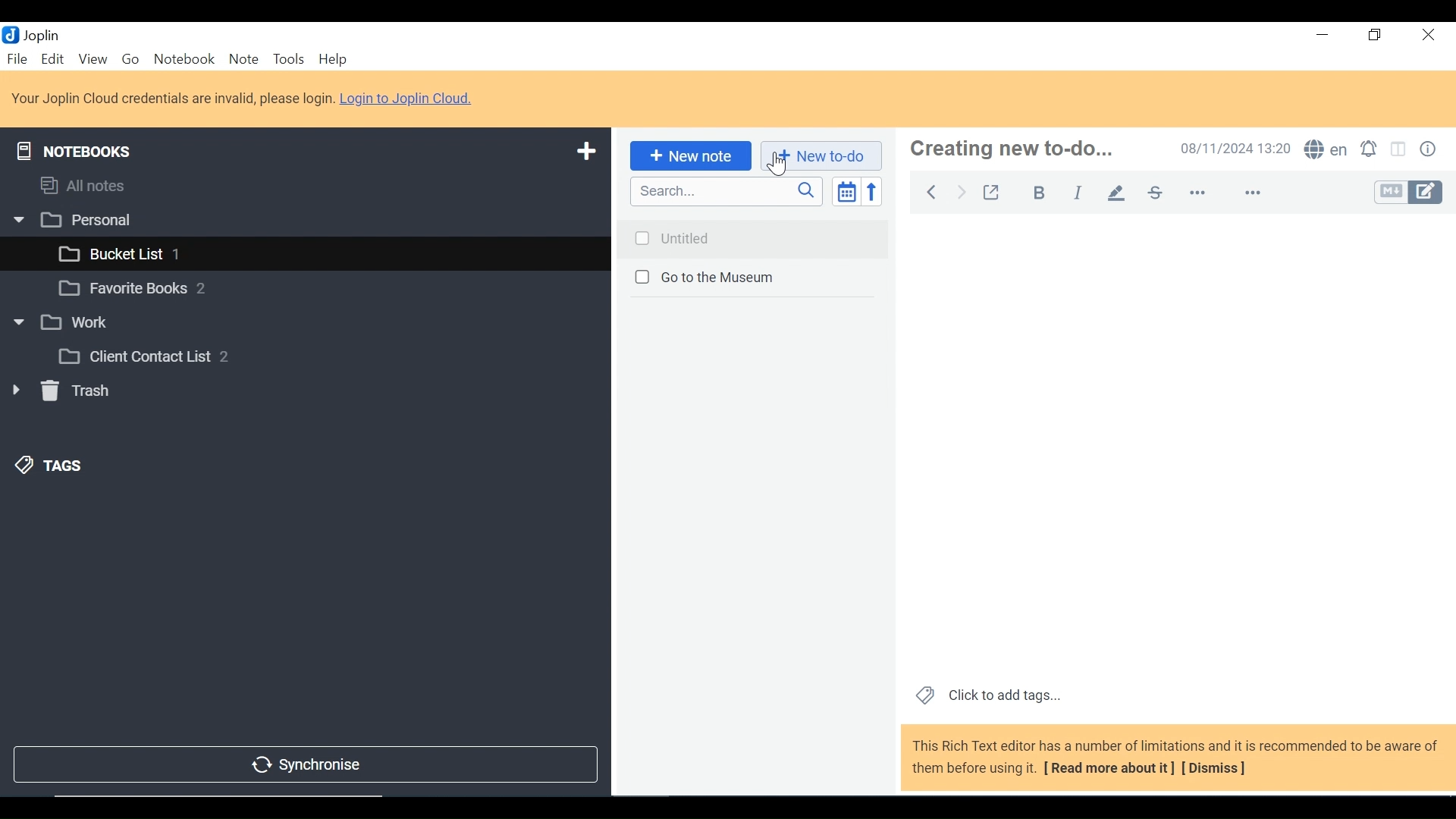 The width and height of the screenshot is (1456, 819). I want to click on Synchronise, so click(303, 766).